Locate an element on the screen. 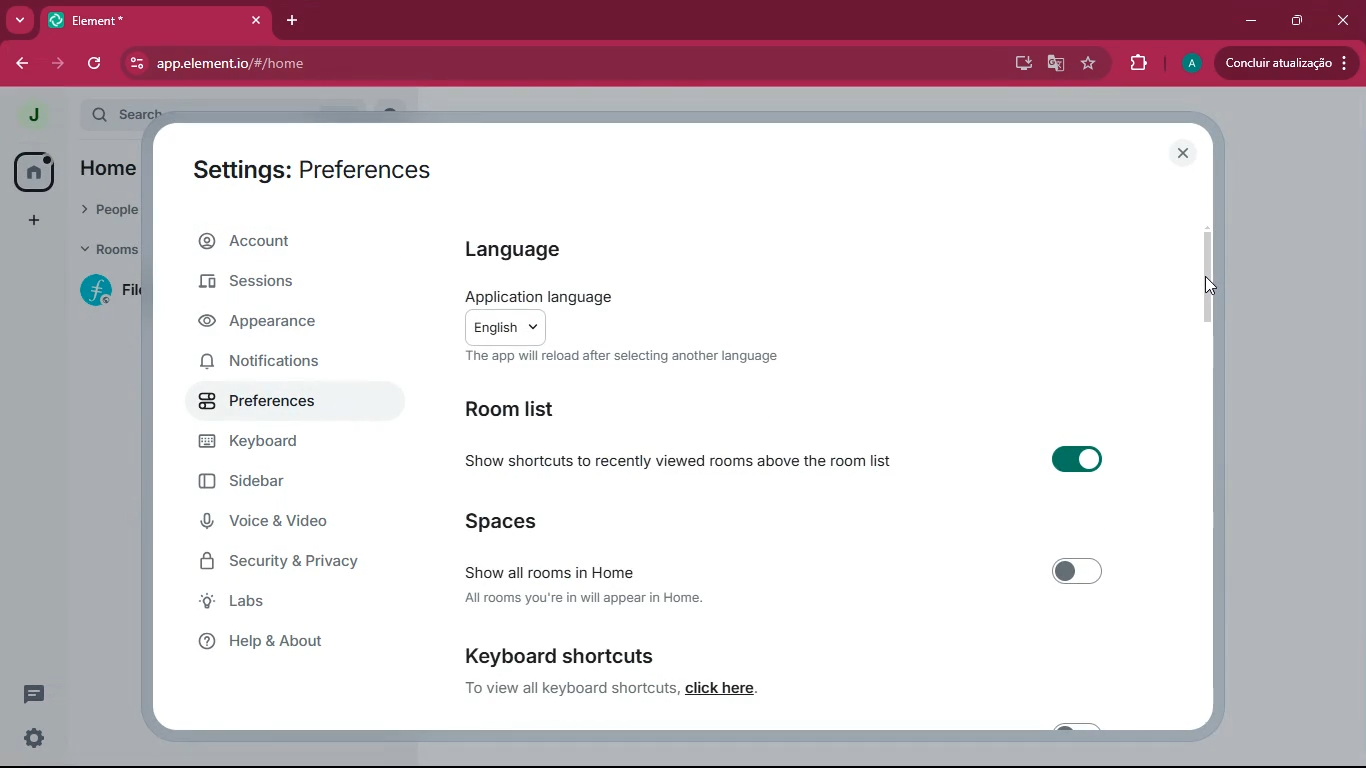  add is located at coordinates (30, 223).